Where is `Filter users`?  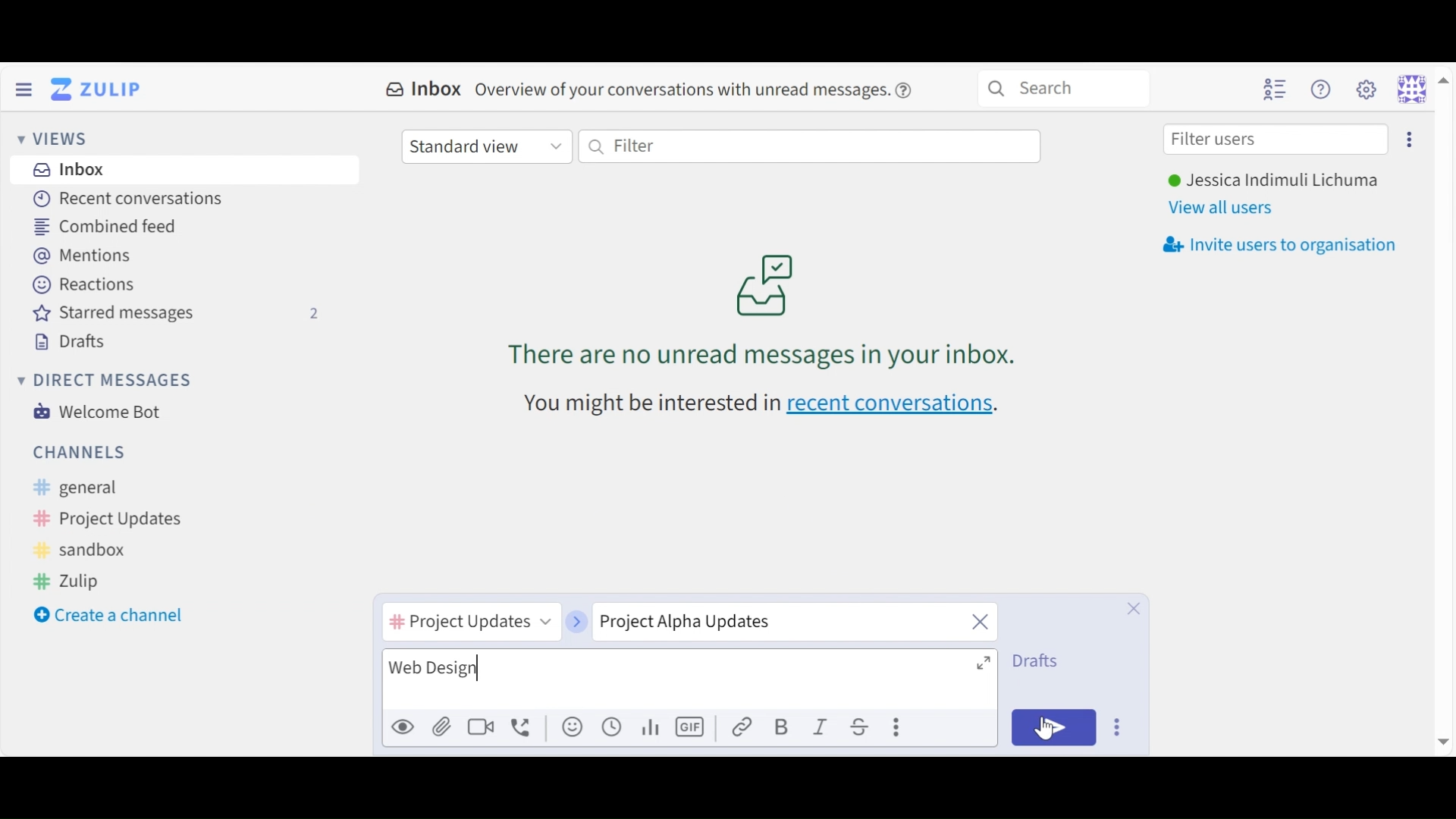 Filter users is located at coordinates (1276, 140).